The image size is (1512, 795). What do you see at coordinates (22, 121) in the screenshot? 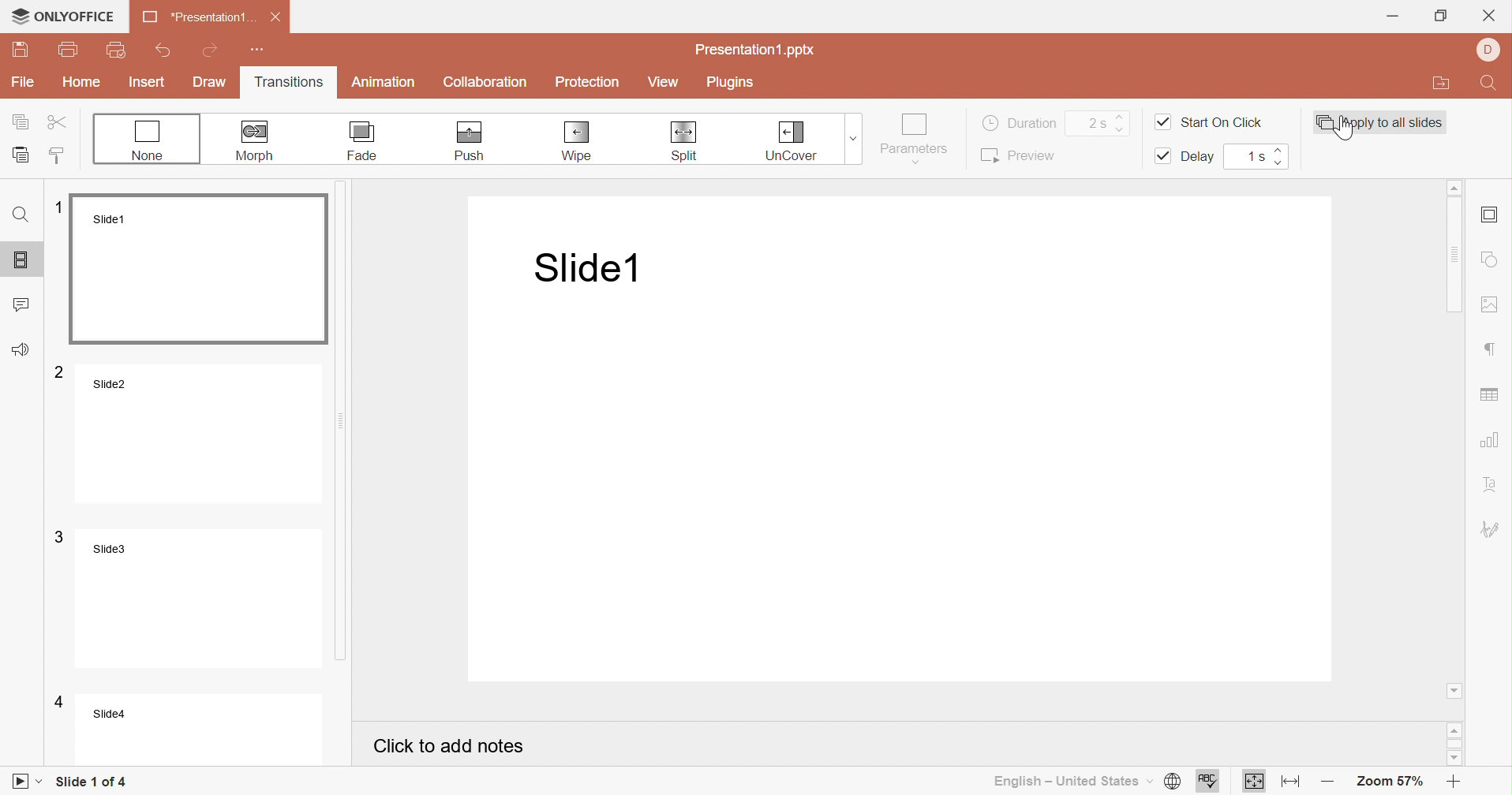
I see `Copy` at bounding box center [22, 121].